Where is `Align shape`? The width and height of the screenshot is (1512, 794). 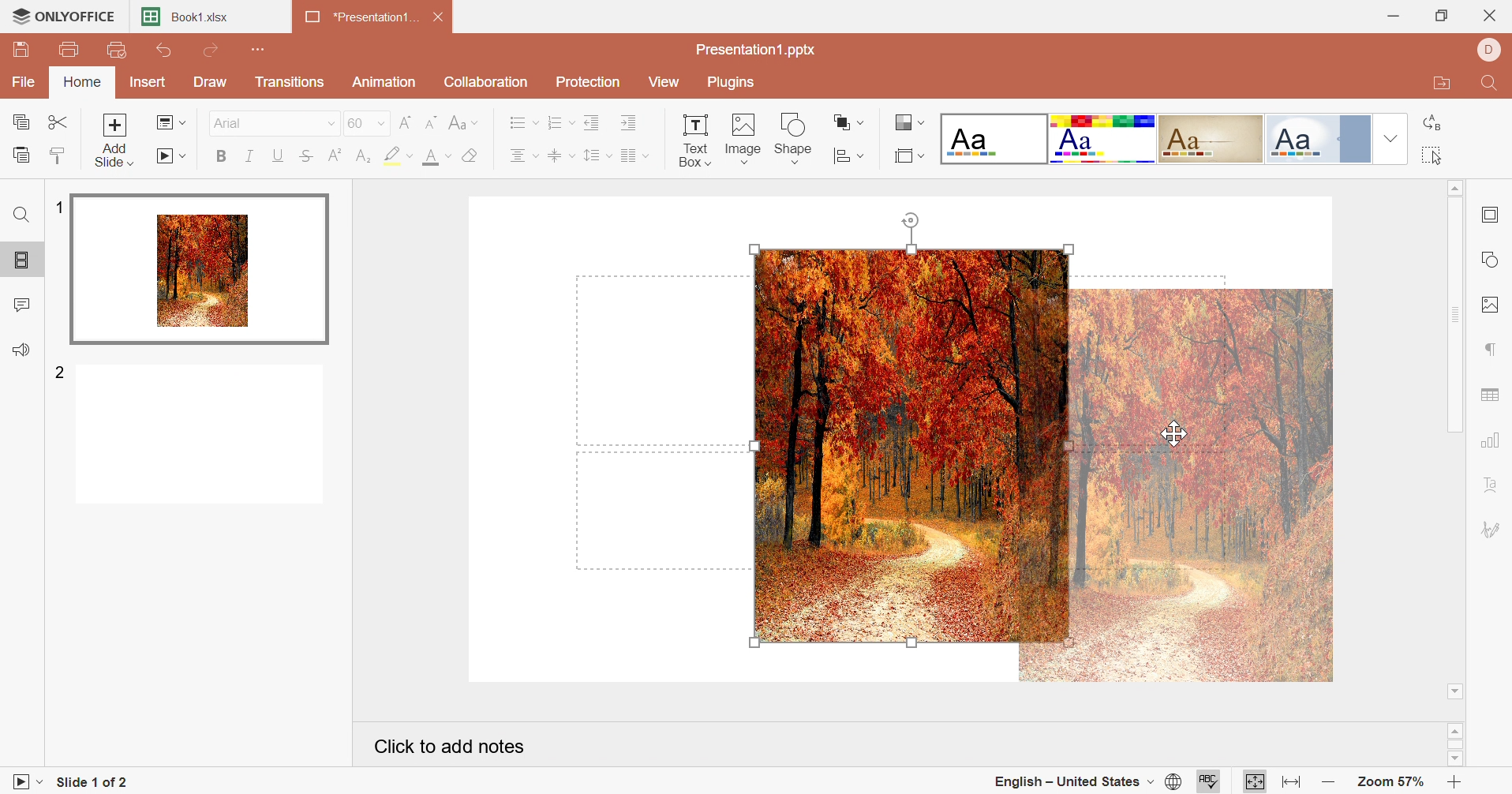
Align shape is located at coordinates (846, 157).